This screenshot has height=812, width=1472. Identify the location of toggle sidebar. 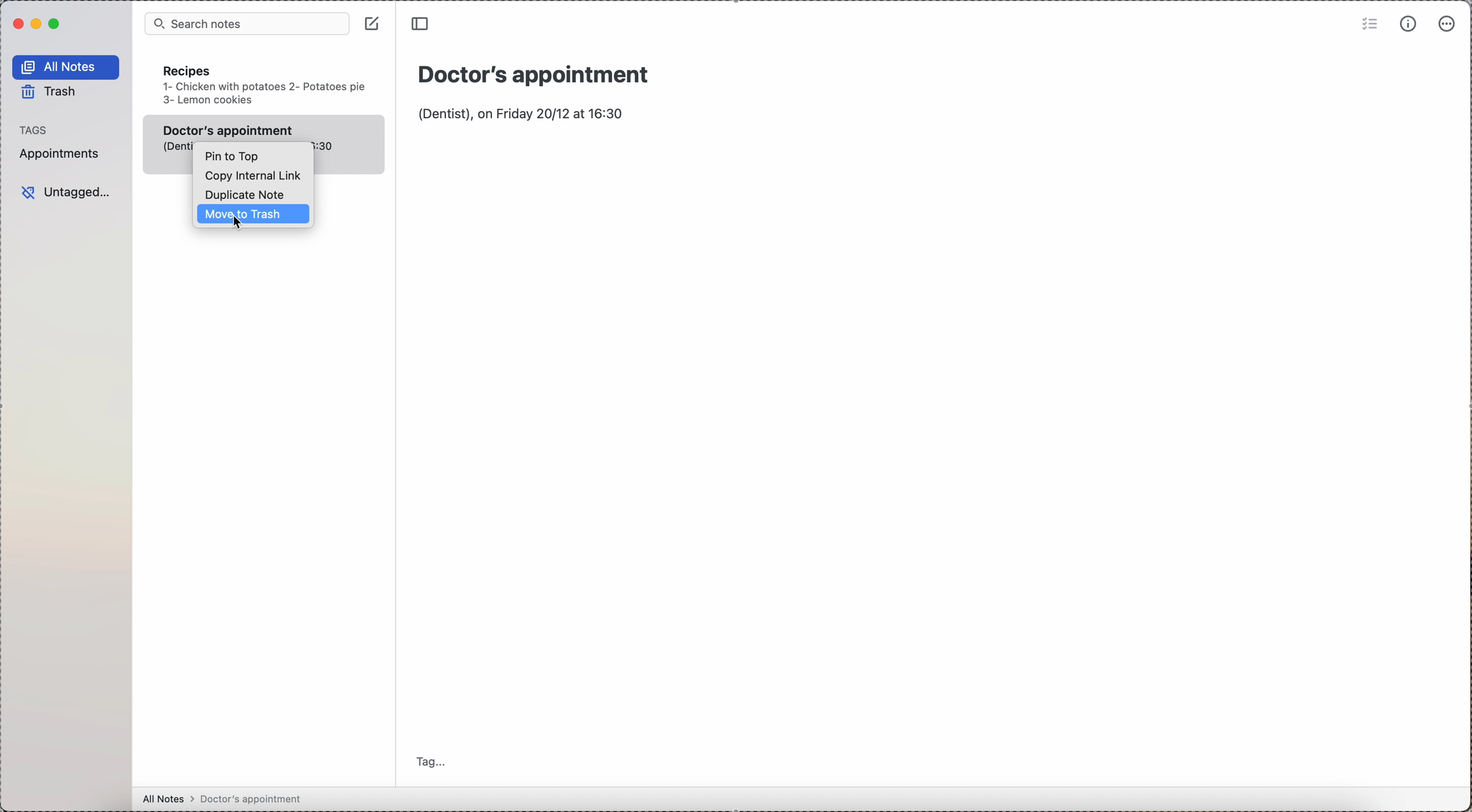
(423, 25).